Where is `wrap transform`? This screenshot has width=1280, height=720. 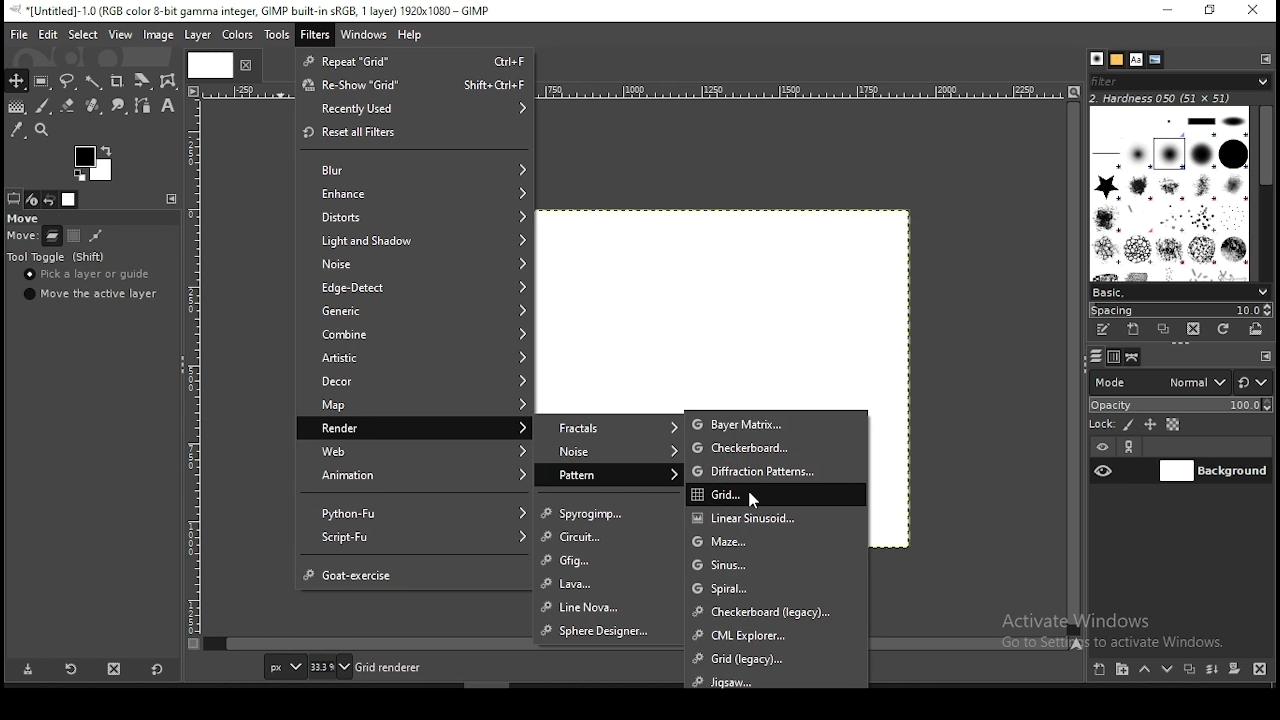 wrap transform is located at coordinates (168, 80).